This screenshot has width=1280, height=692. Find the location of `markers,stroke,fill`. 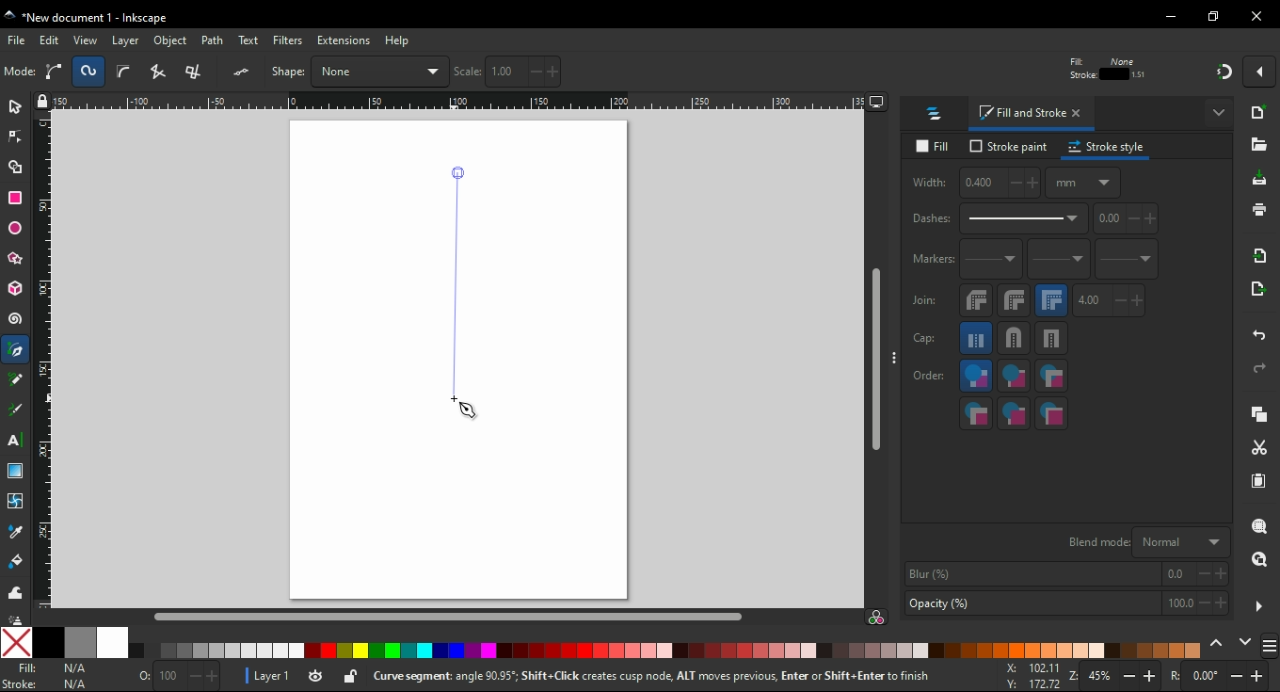

markers,stroke,fill is located at coordinates (1052, 414).